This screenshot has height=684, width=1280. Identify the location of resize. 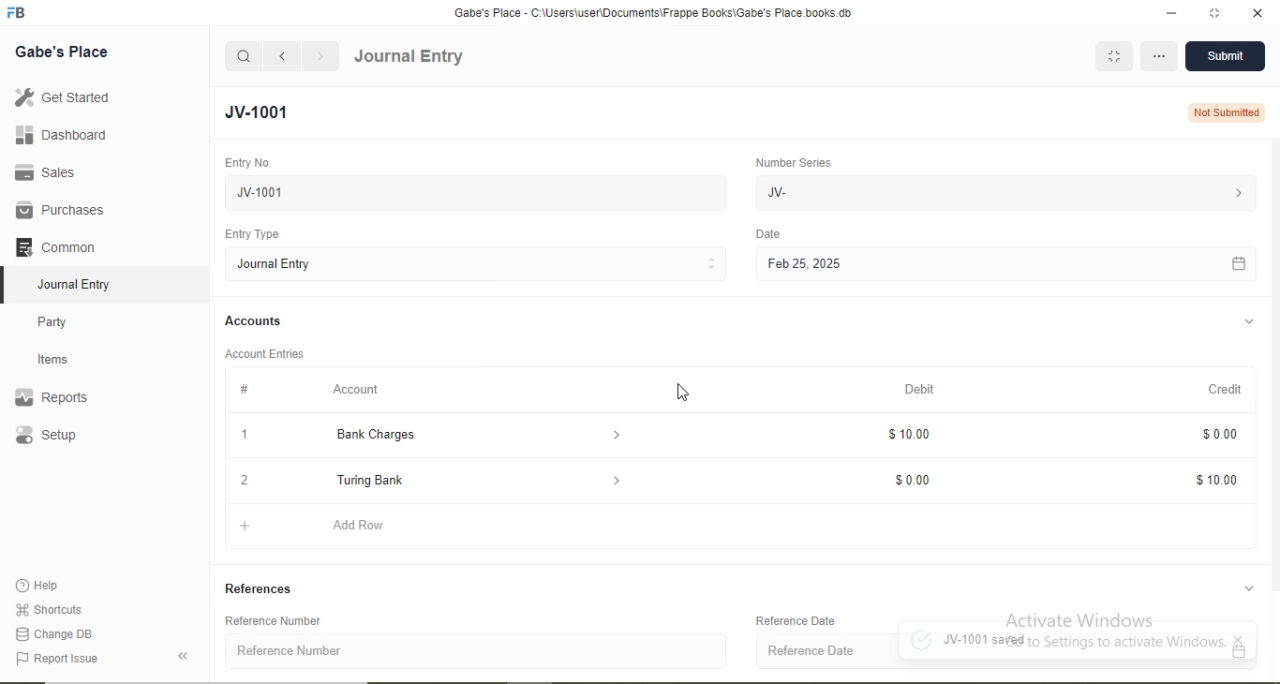
(1212, 13).